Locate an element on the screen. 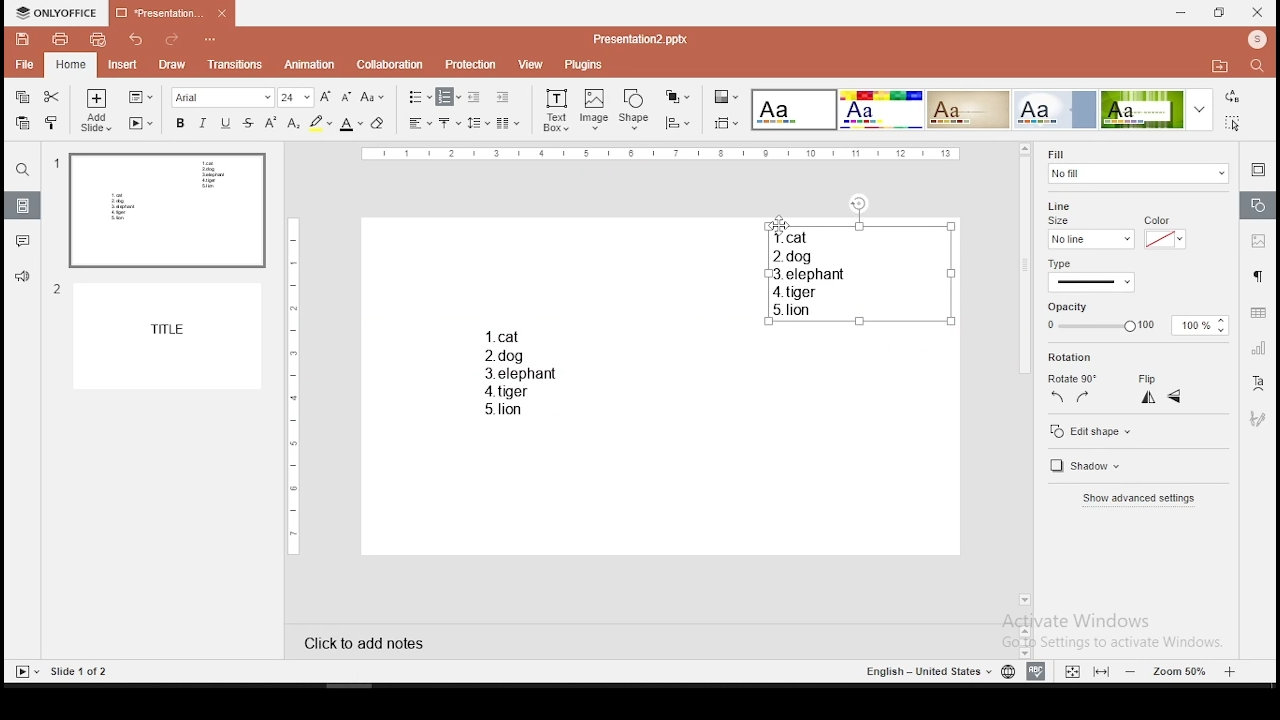 The image size is (1280, 720). shape is located at coordinates (635, 111).